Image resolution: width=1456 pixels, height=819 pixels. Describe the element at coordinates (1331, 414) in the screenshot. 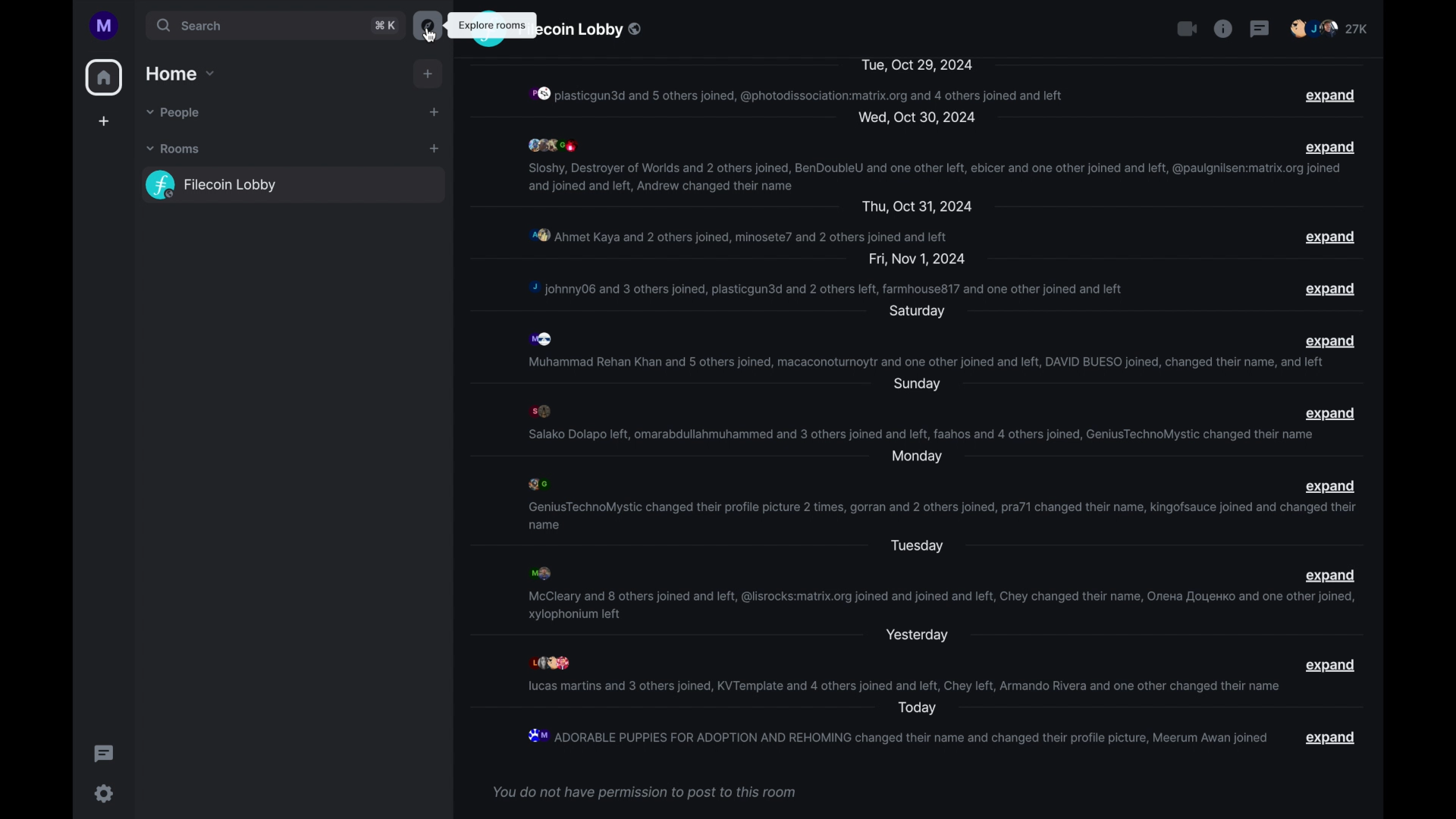

I see `expand` at that location.